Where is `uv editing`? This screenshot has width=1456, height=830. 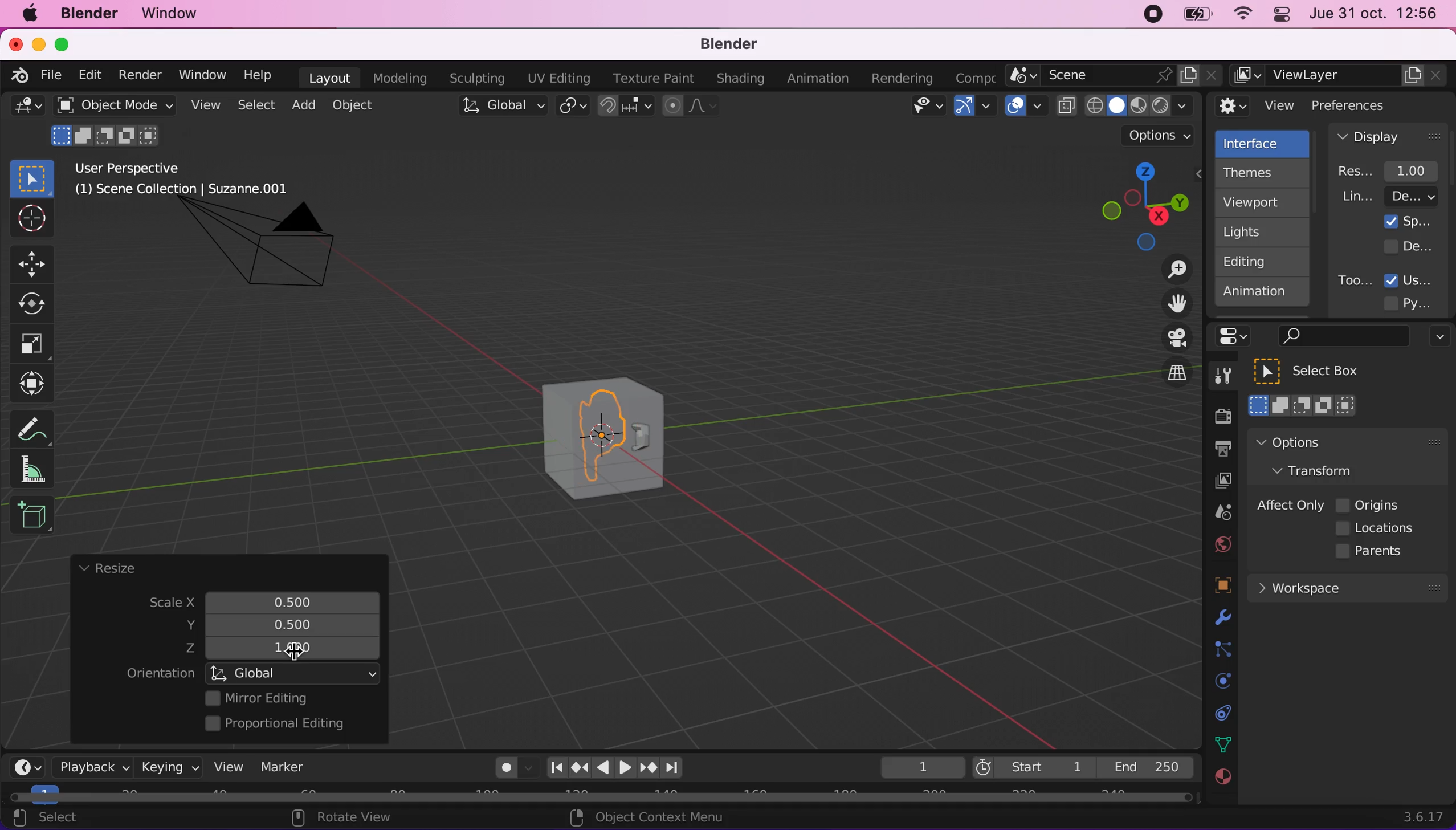
uv editing is located at coordinates (558, 78).